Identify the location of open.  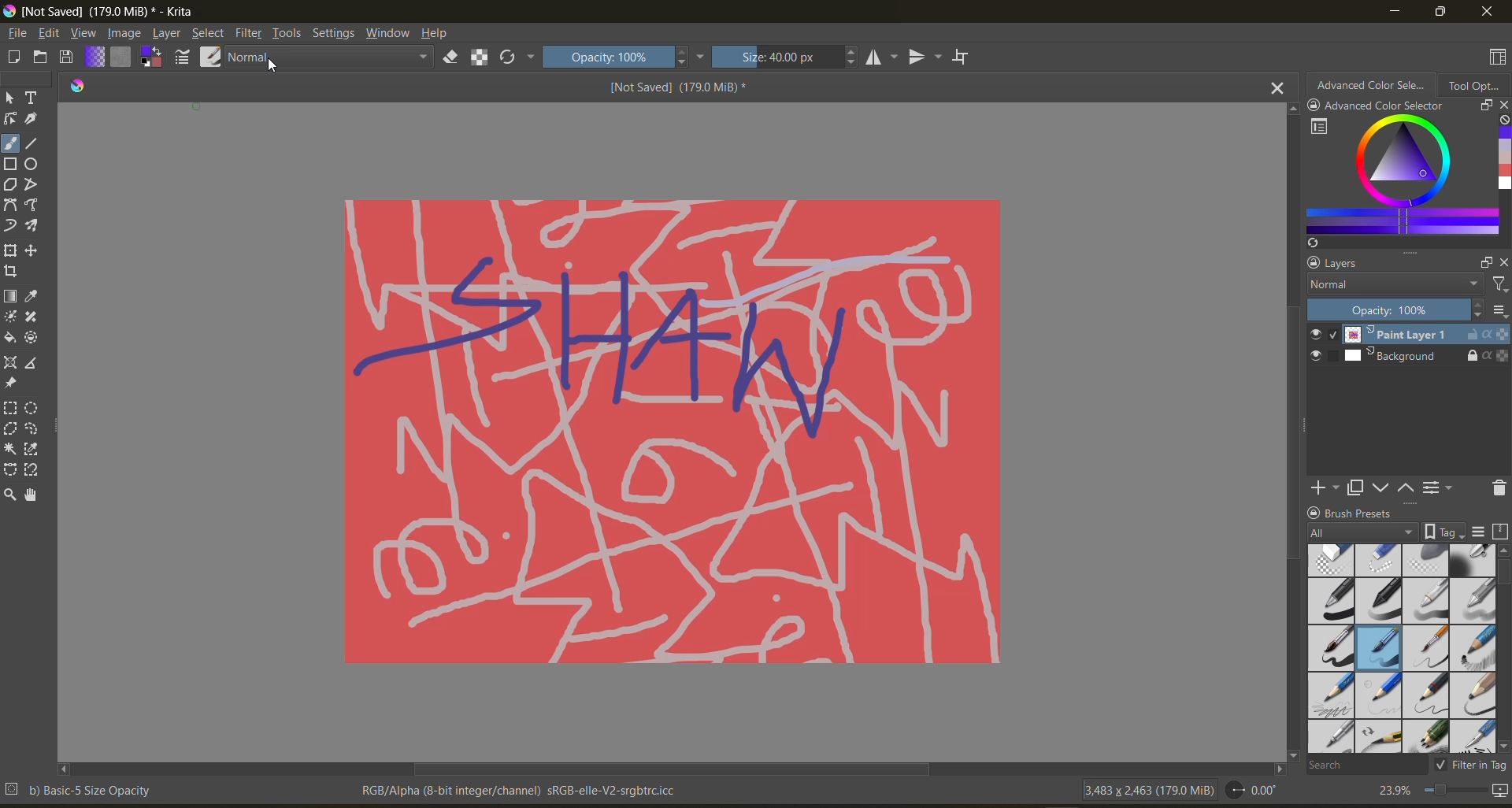
(40, 56).